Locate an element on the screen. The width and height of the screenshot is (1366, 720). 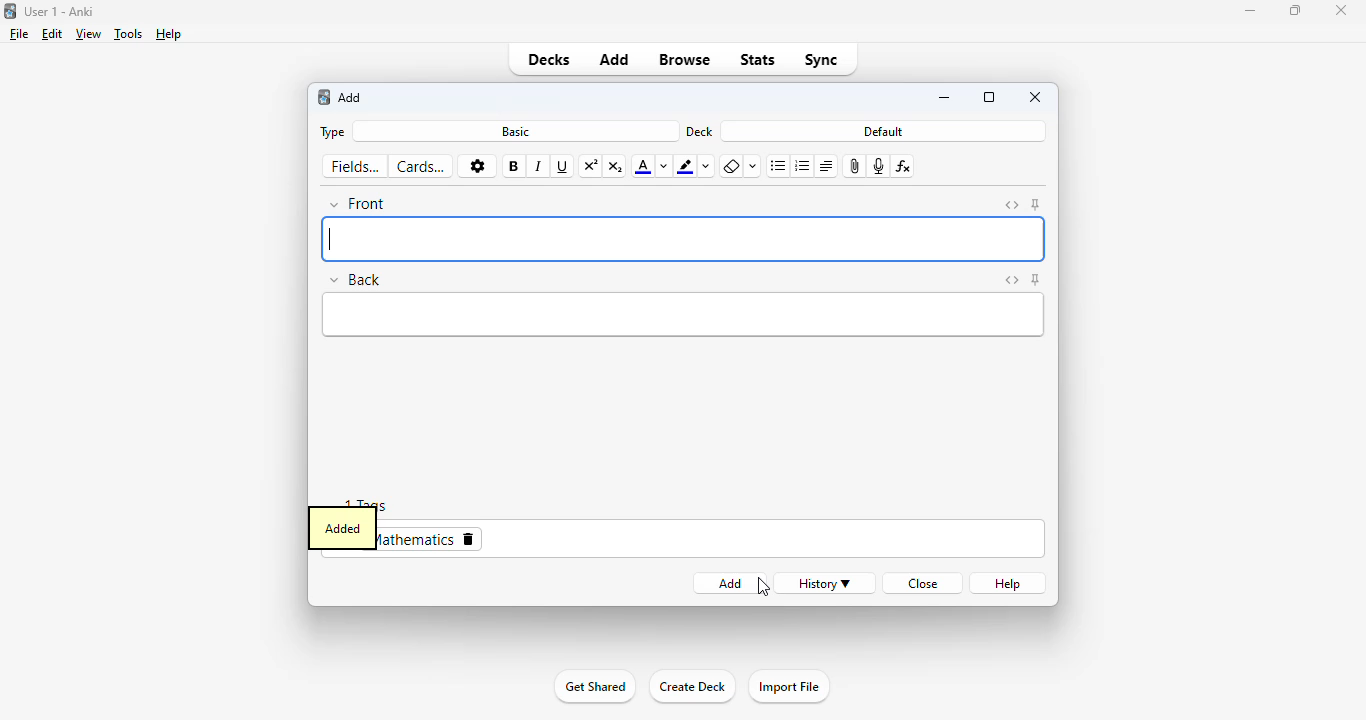
superscript is located at coordinates (592, 165).